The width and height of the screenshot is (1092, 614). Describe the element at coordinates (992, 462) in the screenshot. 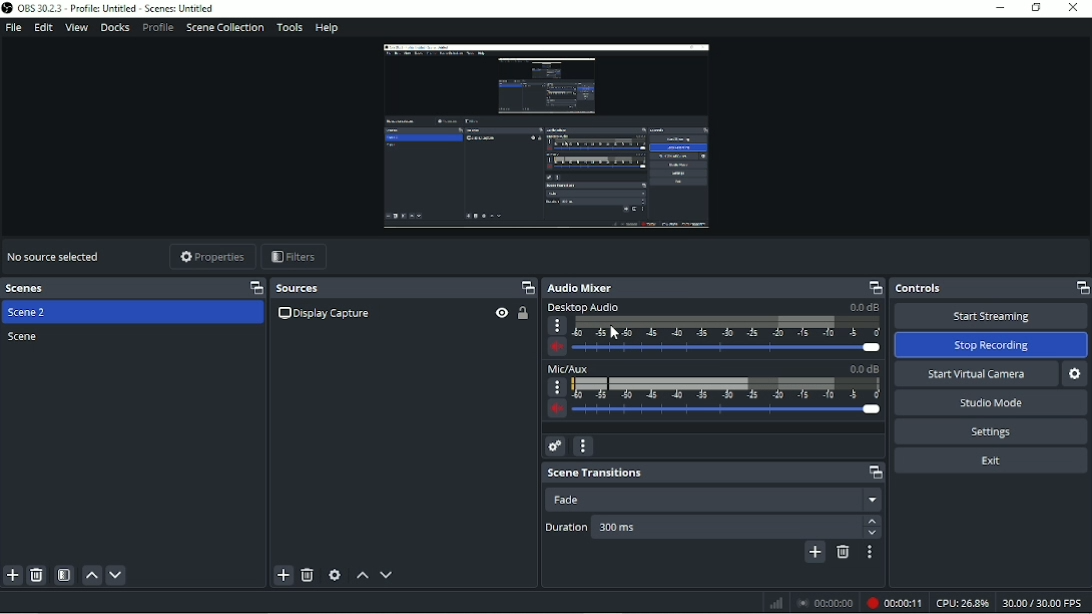

I see `Exit` at that location.